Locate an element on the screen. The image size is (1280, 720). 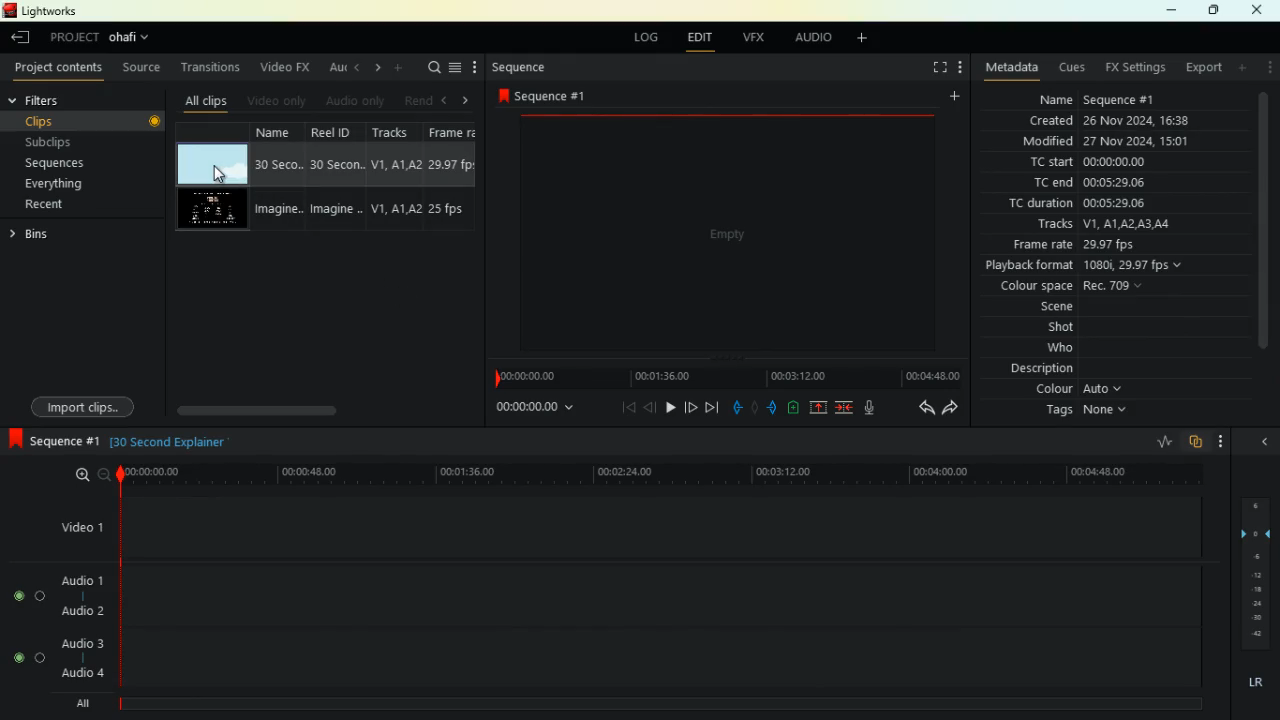
menu is located at coordinates (456, 69).